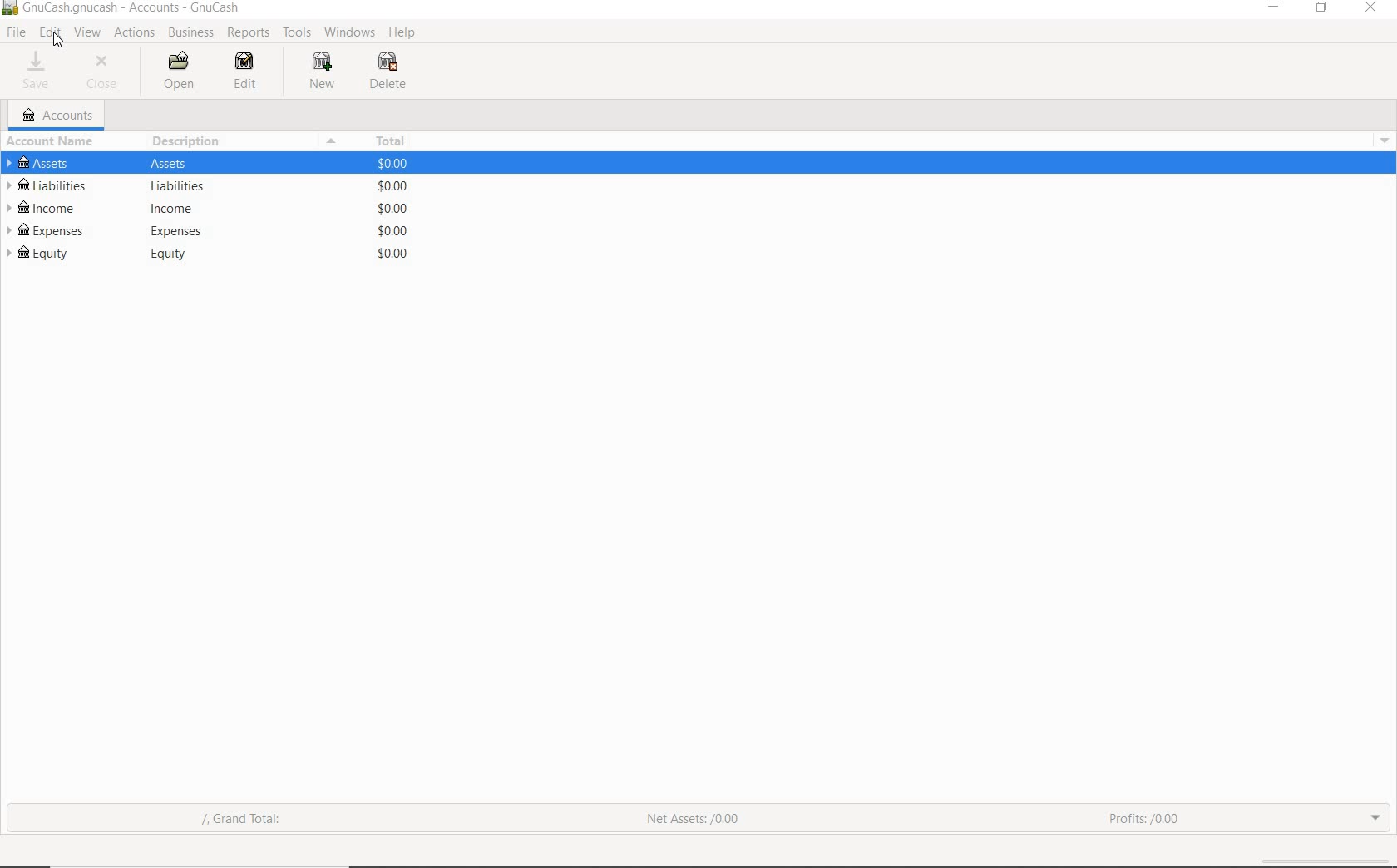 The width and height of the screenshot is (1397, 868). Describe the element at coordinates (244, 70) in the screenshot. I see `EDIT` at that location.